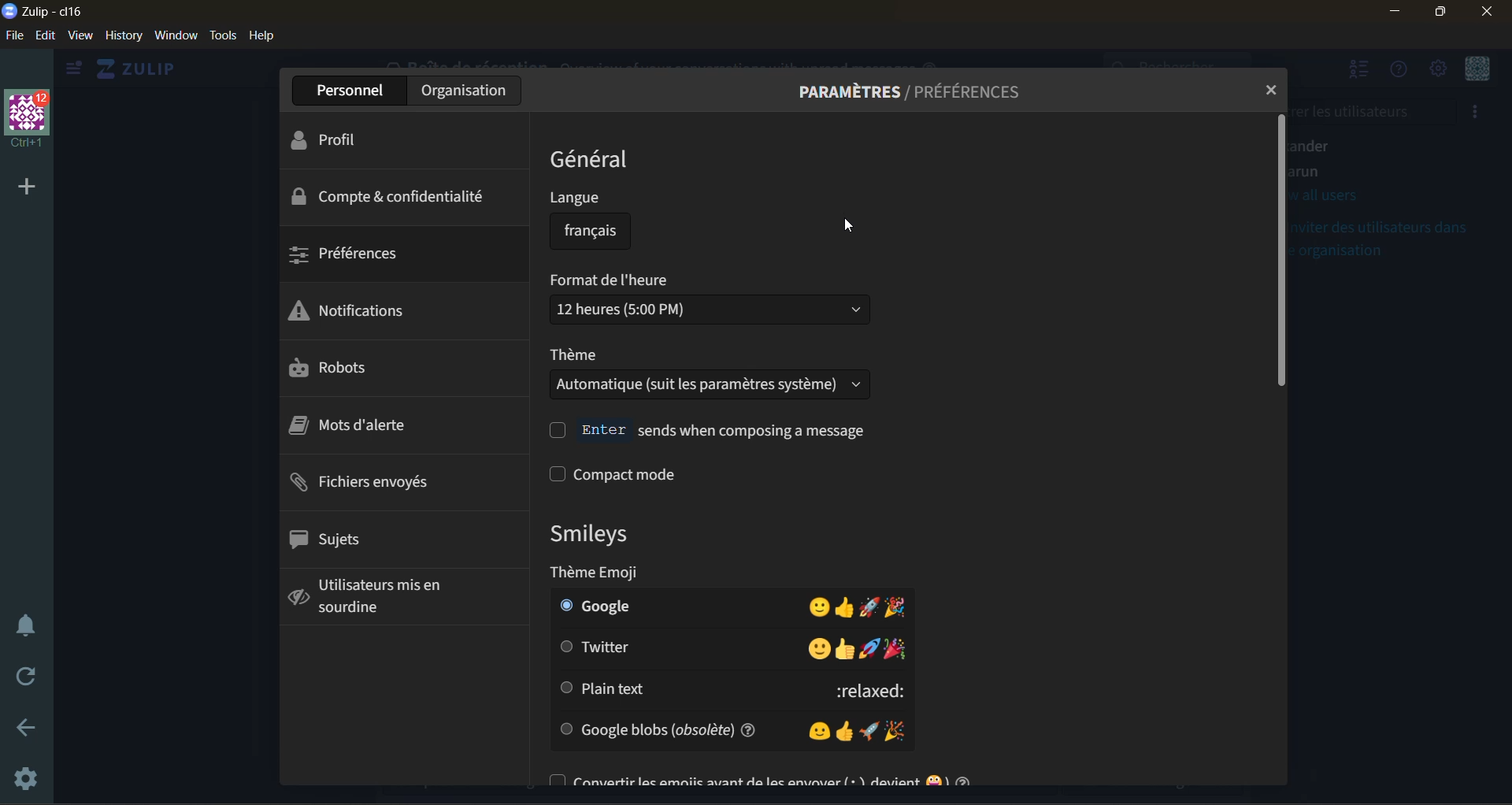  I want to click on maximize, so click(1443, 13).